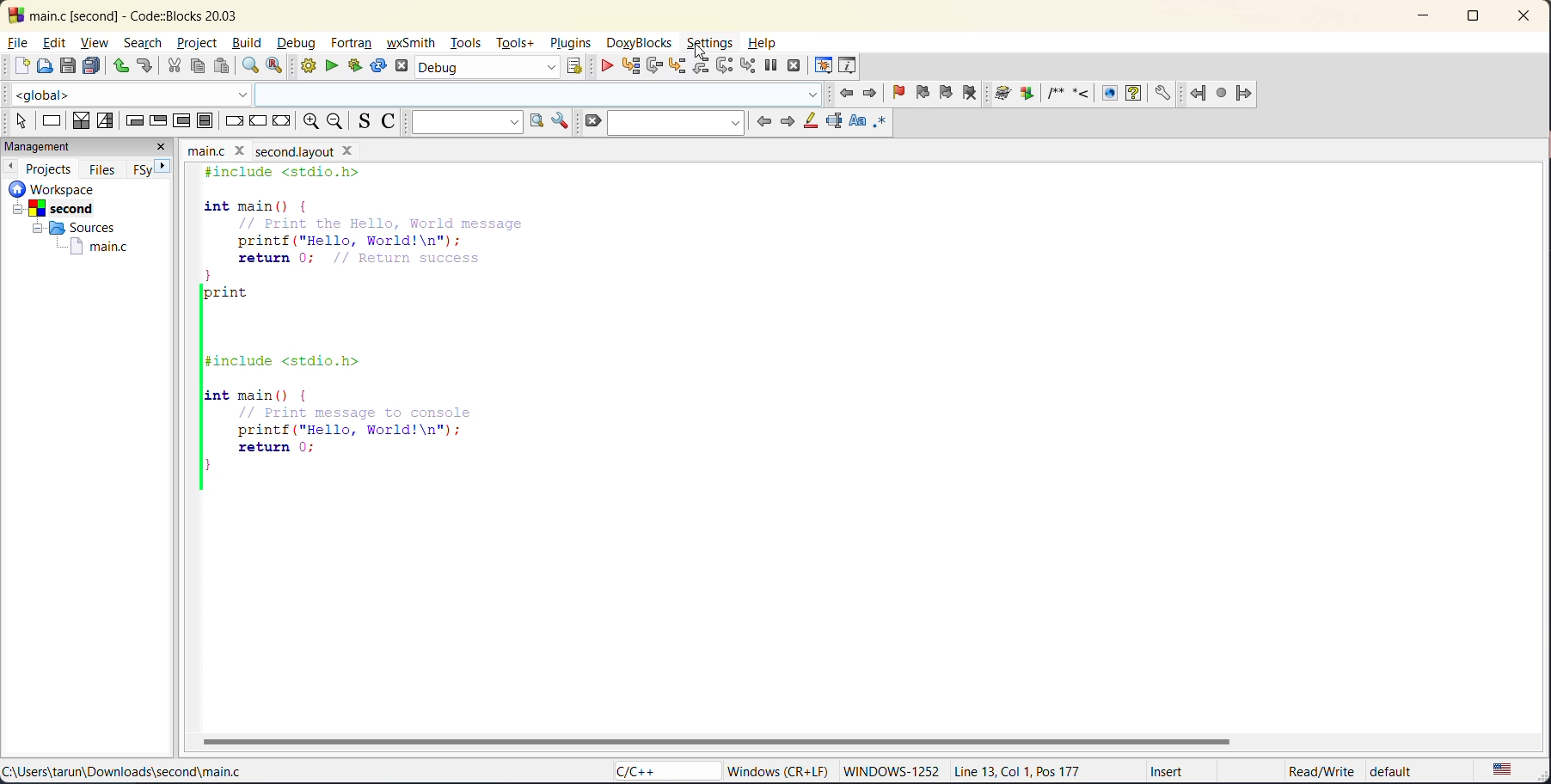 The image size is (1551, 784). I want to click on toggle source, so click(366, 122).